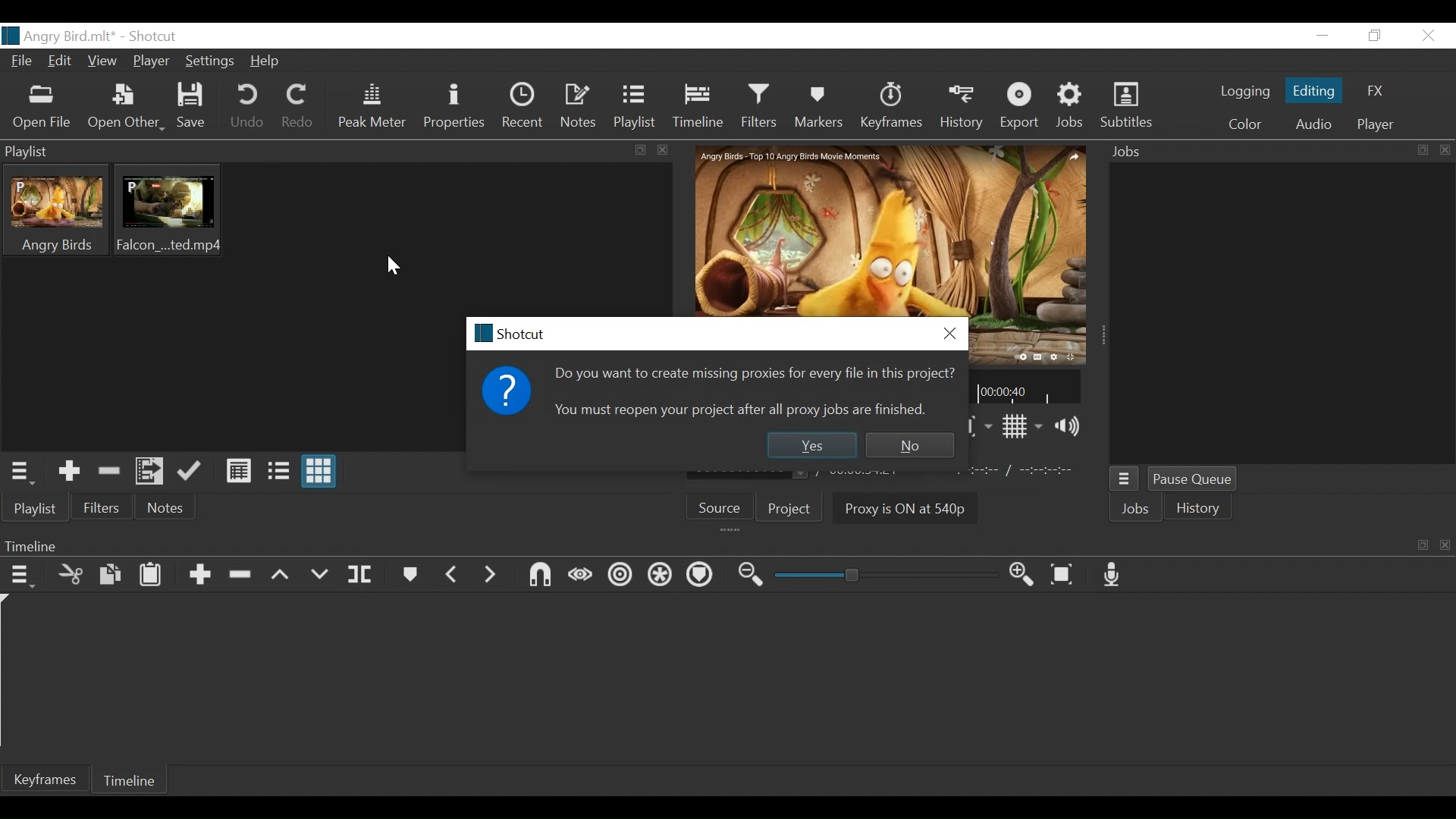 This screenshot has width=1456, height=819. What do you see at coordinates (236, 471) in the screenshot?
I see `View as Files` at bounding box center [236, 471].